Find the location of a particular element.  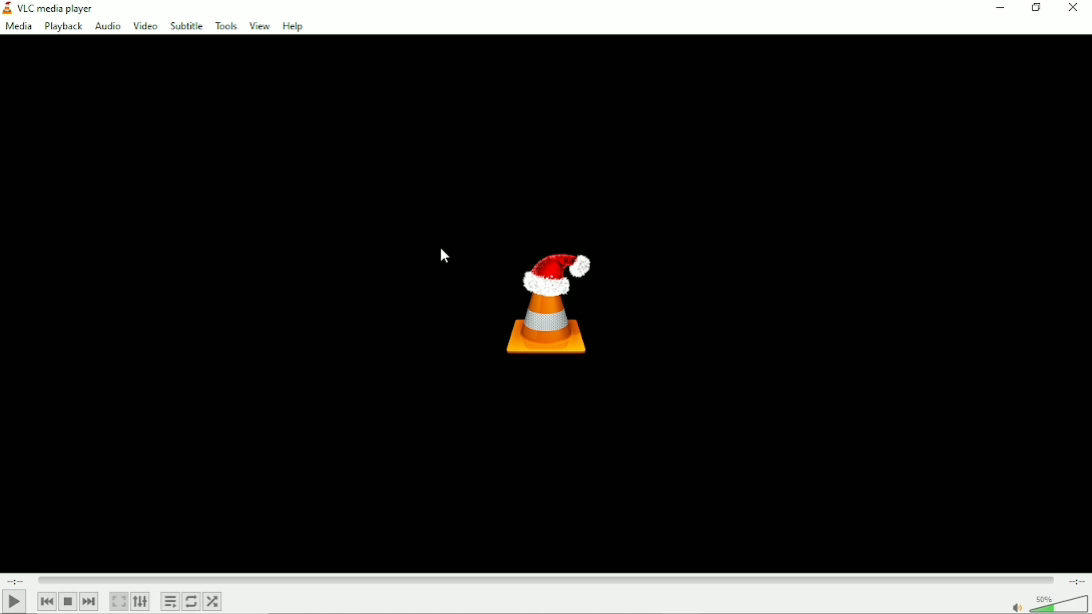

Playback is located at coordinates (63, 26).